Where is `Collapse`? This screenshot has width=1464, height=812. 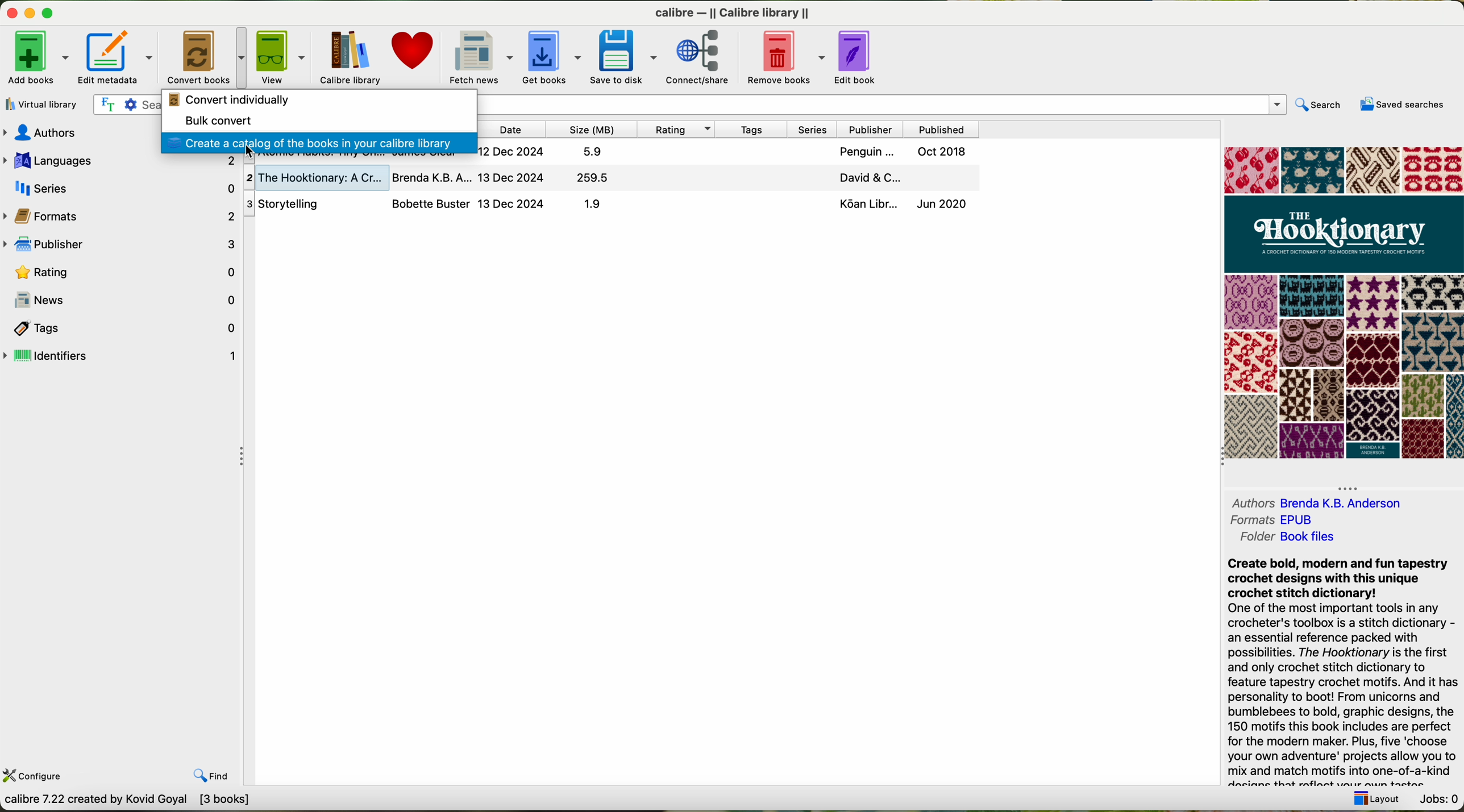 Collapse is located at coordinates (1216, 460).